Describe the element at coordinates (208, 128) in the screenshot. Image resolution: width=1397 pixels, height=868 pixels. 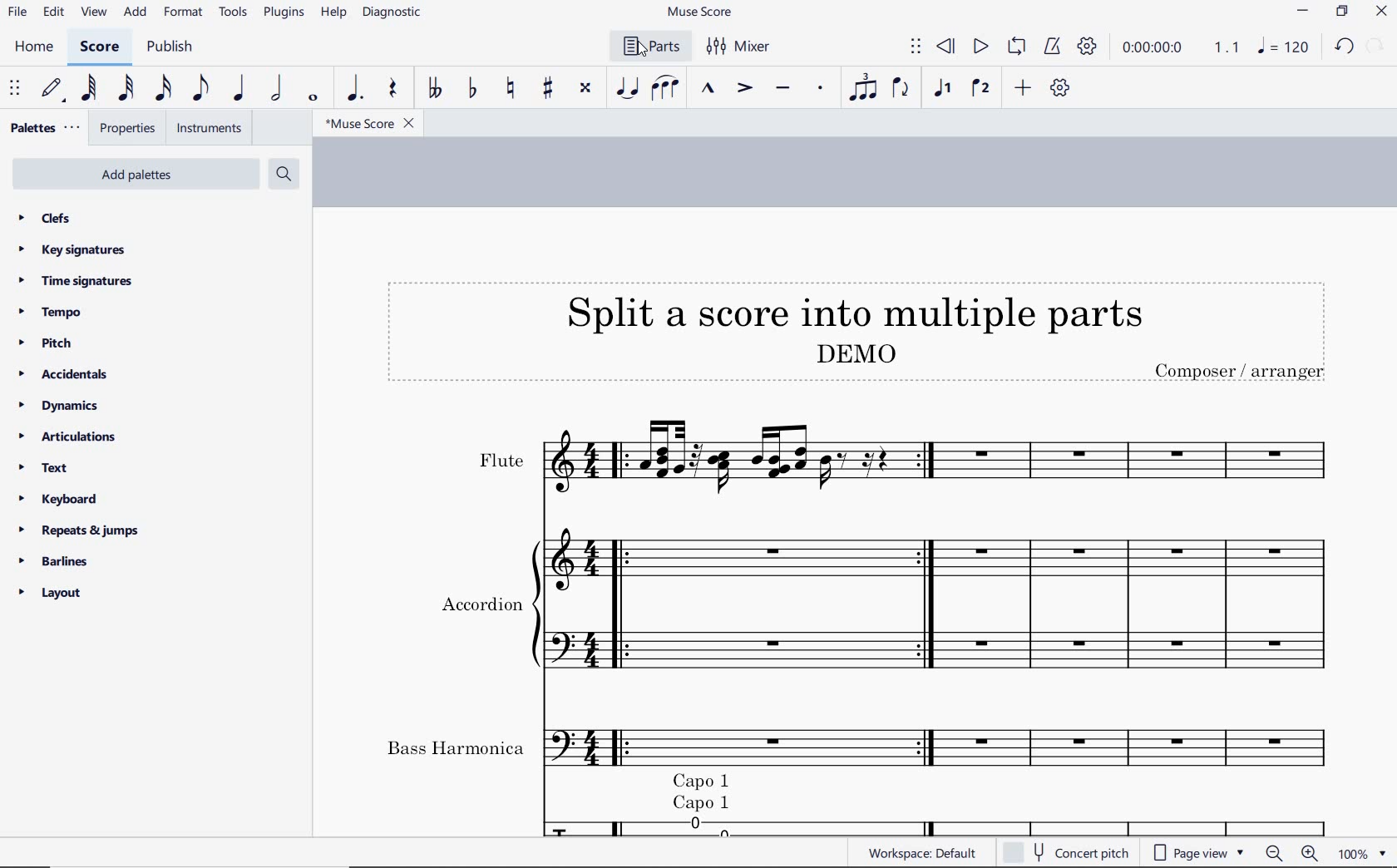
I see `instruments` at that location.